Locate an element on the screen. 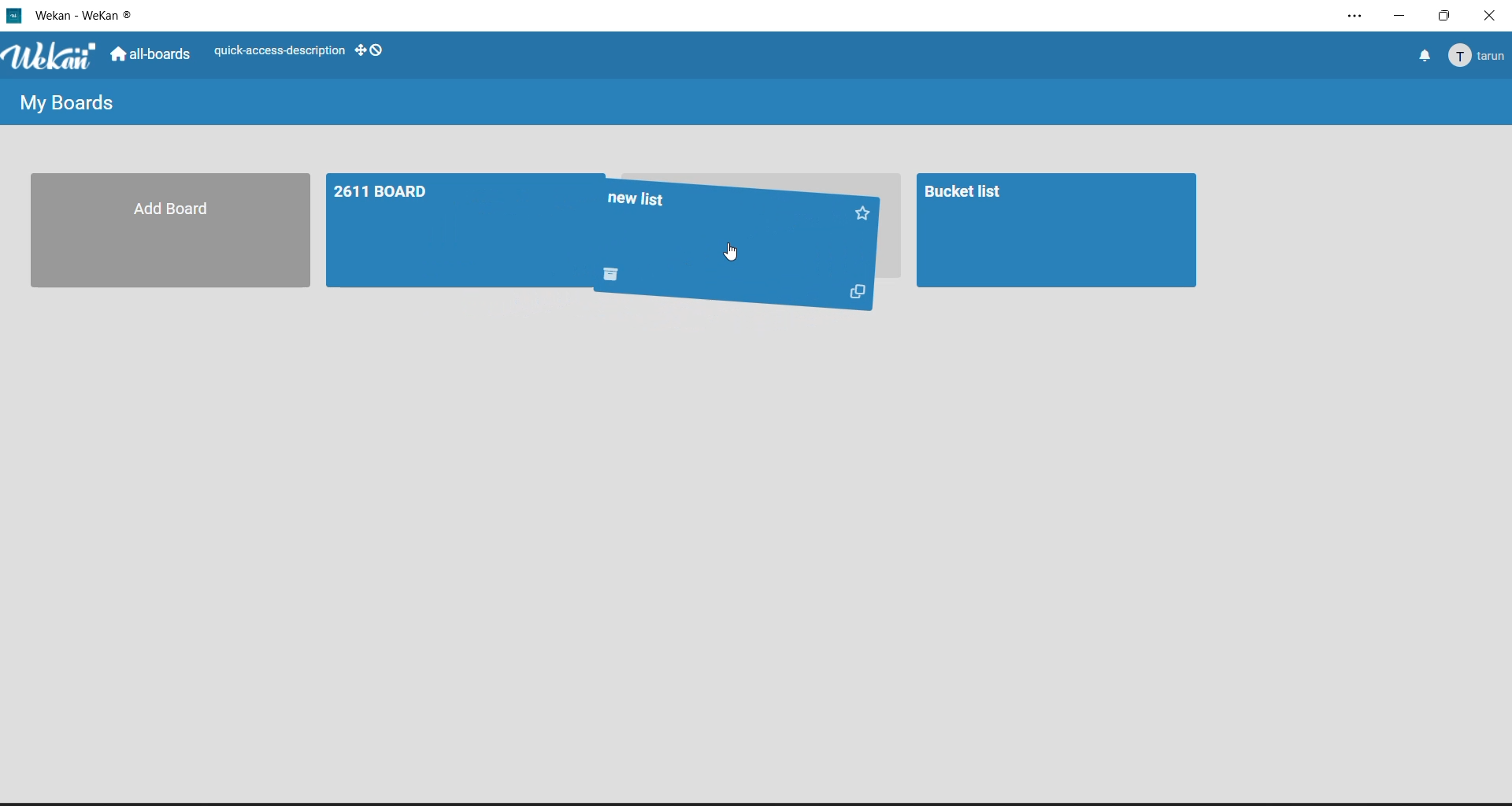 Image resolution: width=1512 pixels, height=806 pixels. settings is located at coordinates (1359, 17).